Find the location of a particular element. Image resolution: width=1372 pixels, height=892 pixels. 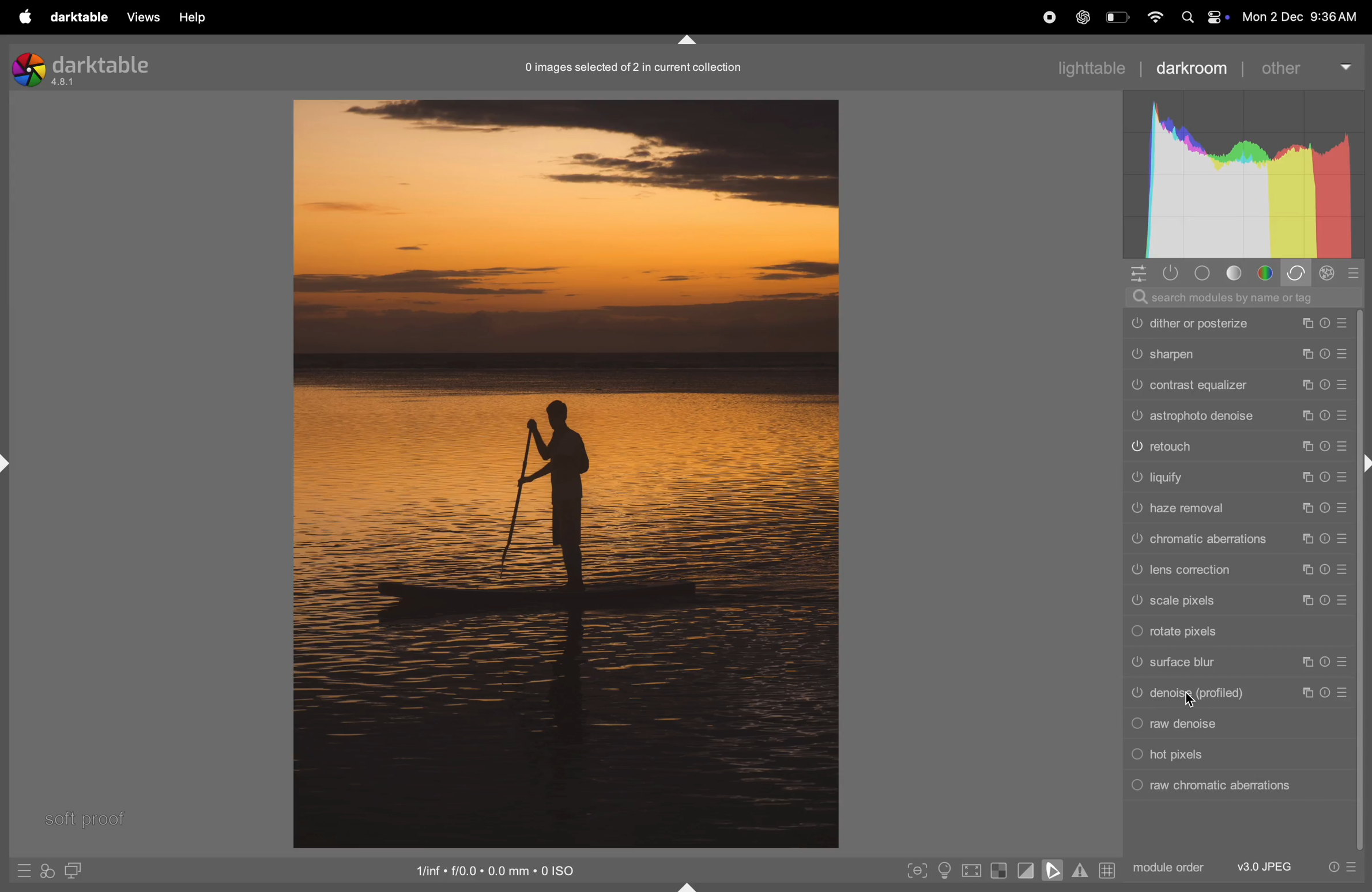

grid is located at coordinates (1106, 872).